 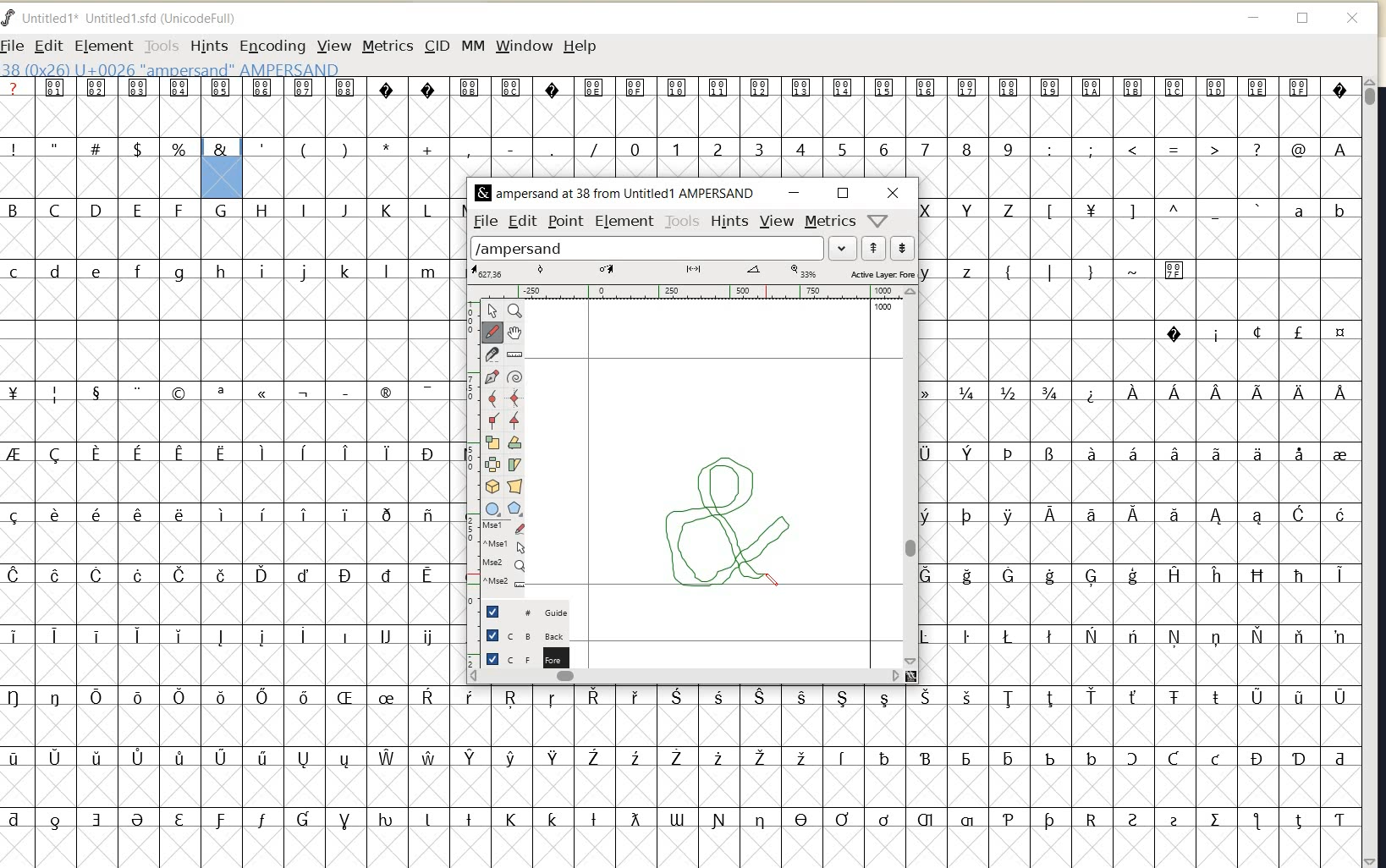 What do you see at coordinates (491, 376) in the screenshot?
I see `add a point, then drag out its control points` at bounding box center [491, 376].